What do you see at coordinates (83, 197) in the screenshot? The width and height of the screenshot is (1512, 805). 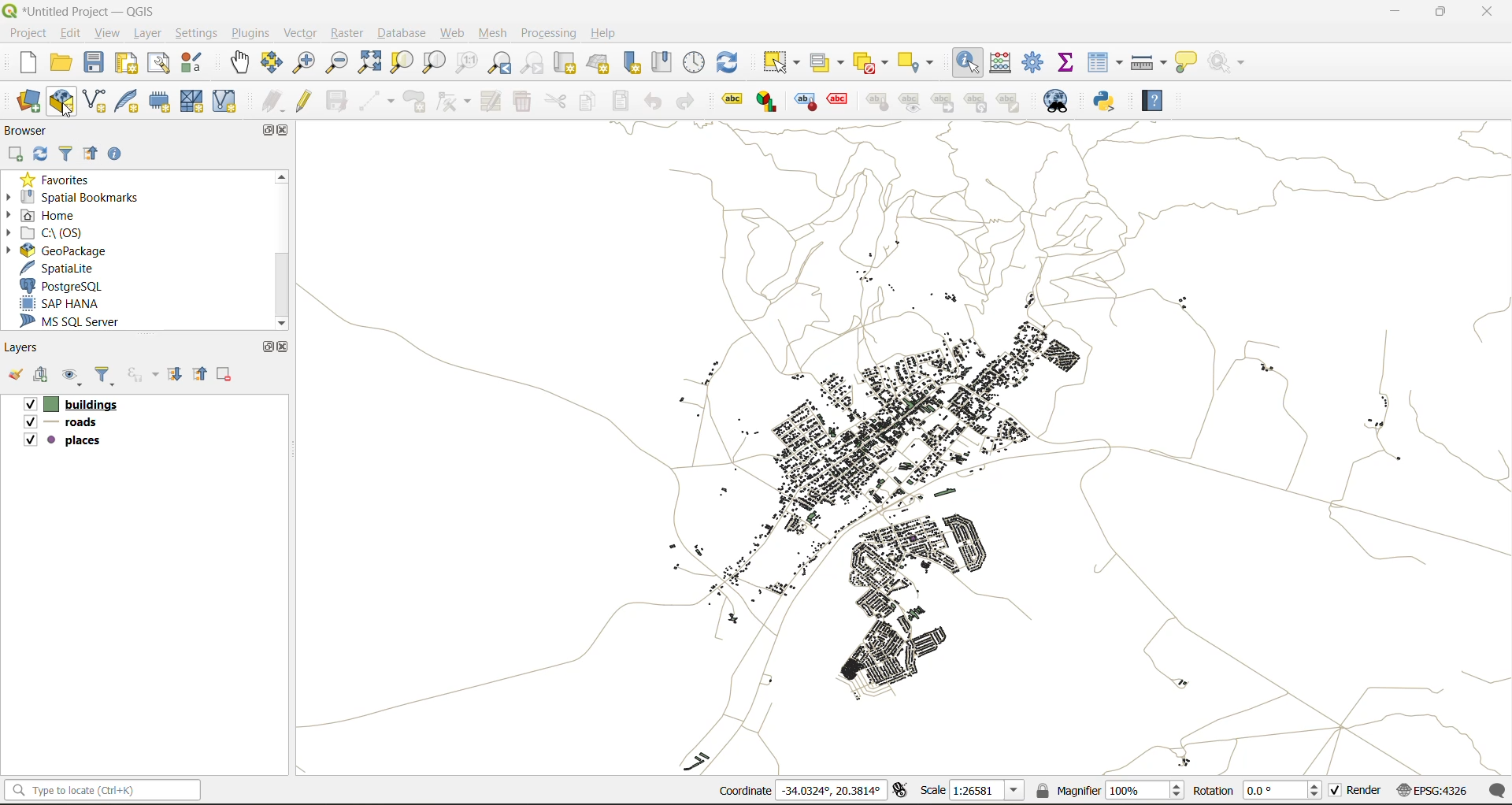 I see `spatial bookmarks` at bounding box center [83, 197].